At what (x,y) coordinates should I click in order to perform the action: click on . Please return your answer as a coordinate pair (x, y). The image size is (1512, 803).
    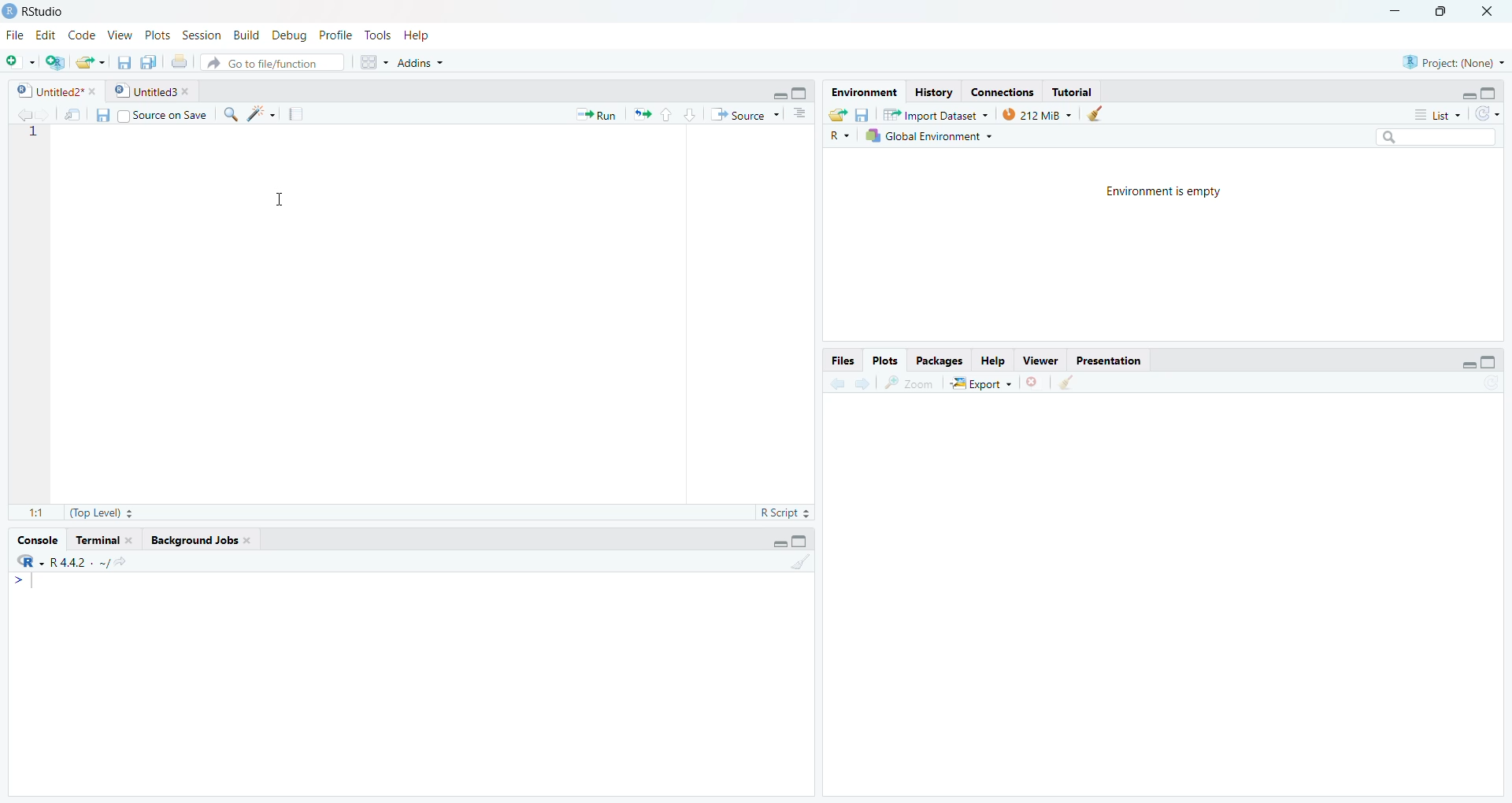
    Looking at the image, I should click on (369, 61).